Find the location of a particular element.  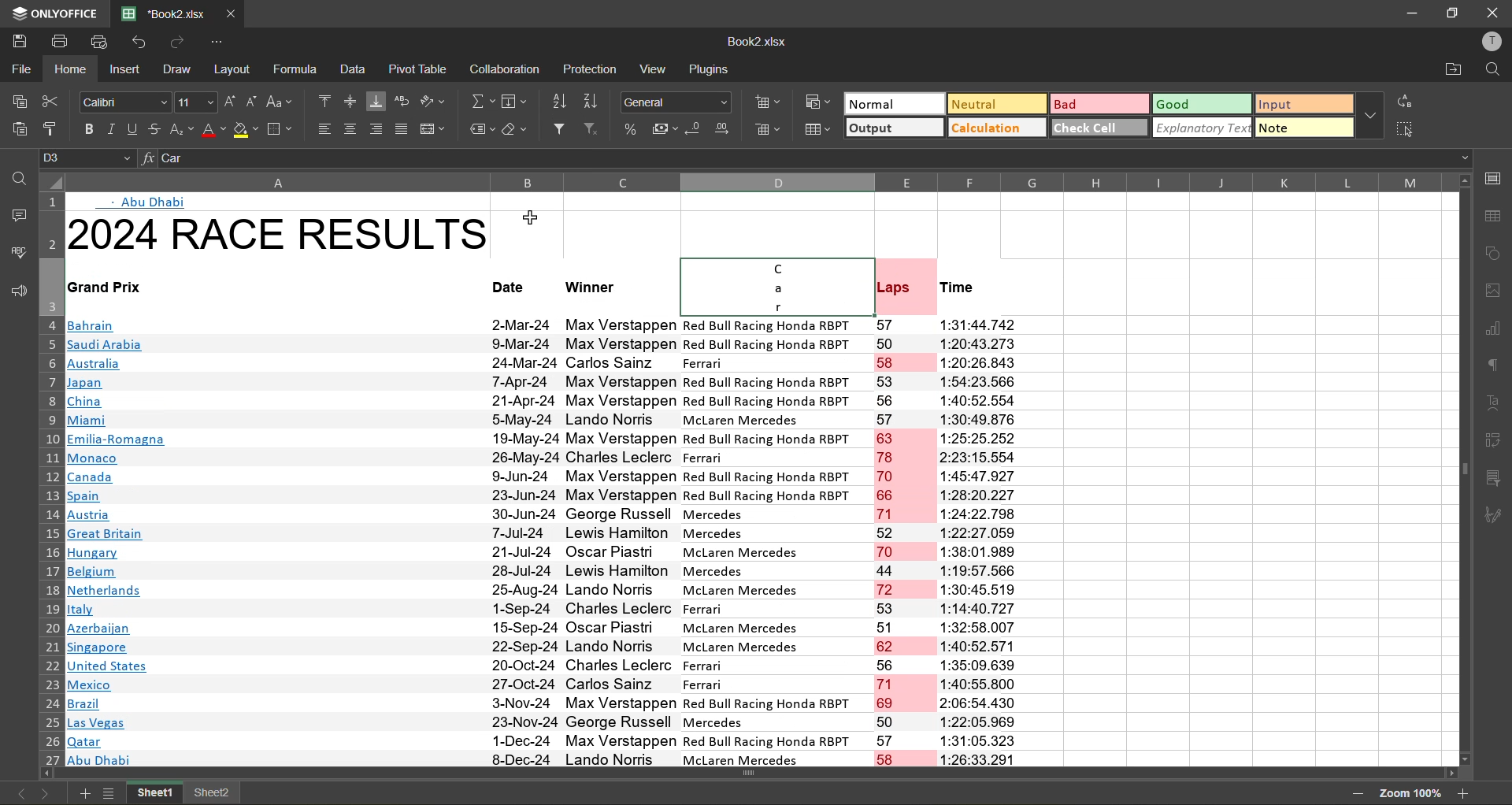

percent is located at coordinates (632, 128).